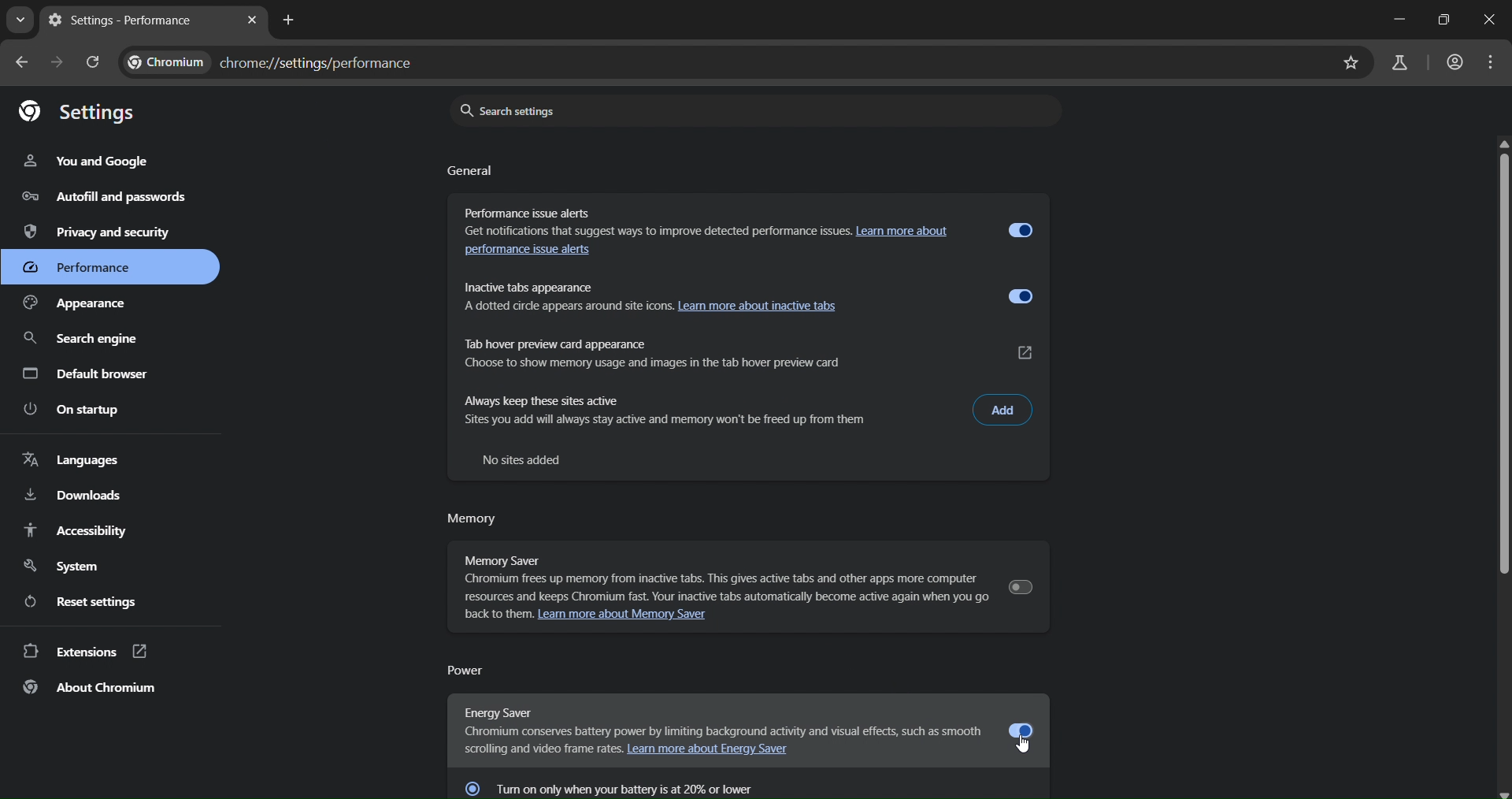 The height and width of the screenshot is (799, 1512). Describe the element at coordinates (472, 521) in the screenshot. I see `memory ` at that location.